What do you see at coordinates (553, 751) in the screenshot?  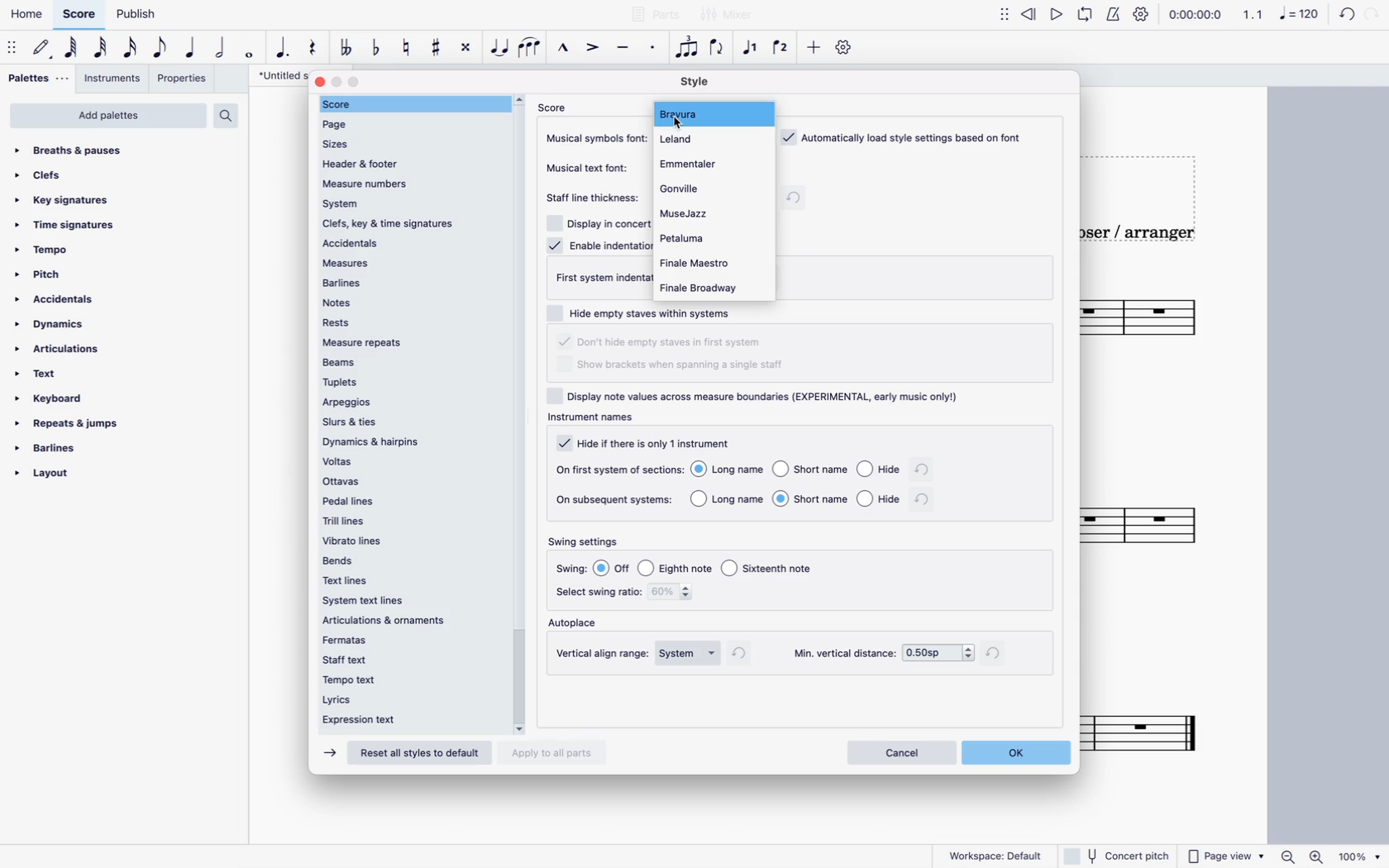 I see `Apply to all parts` at bounding box center [553, 751].